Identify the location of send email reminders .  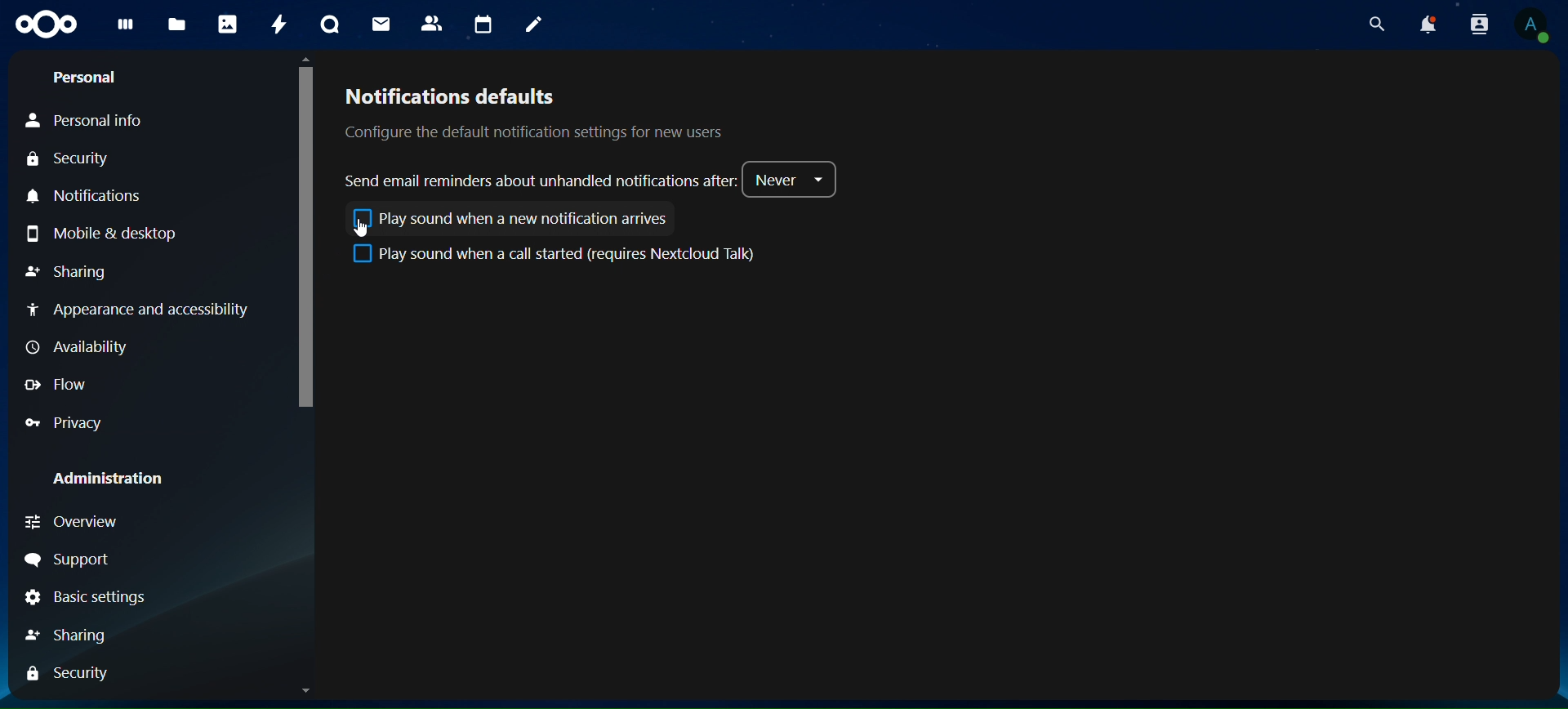
(540, 181).